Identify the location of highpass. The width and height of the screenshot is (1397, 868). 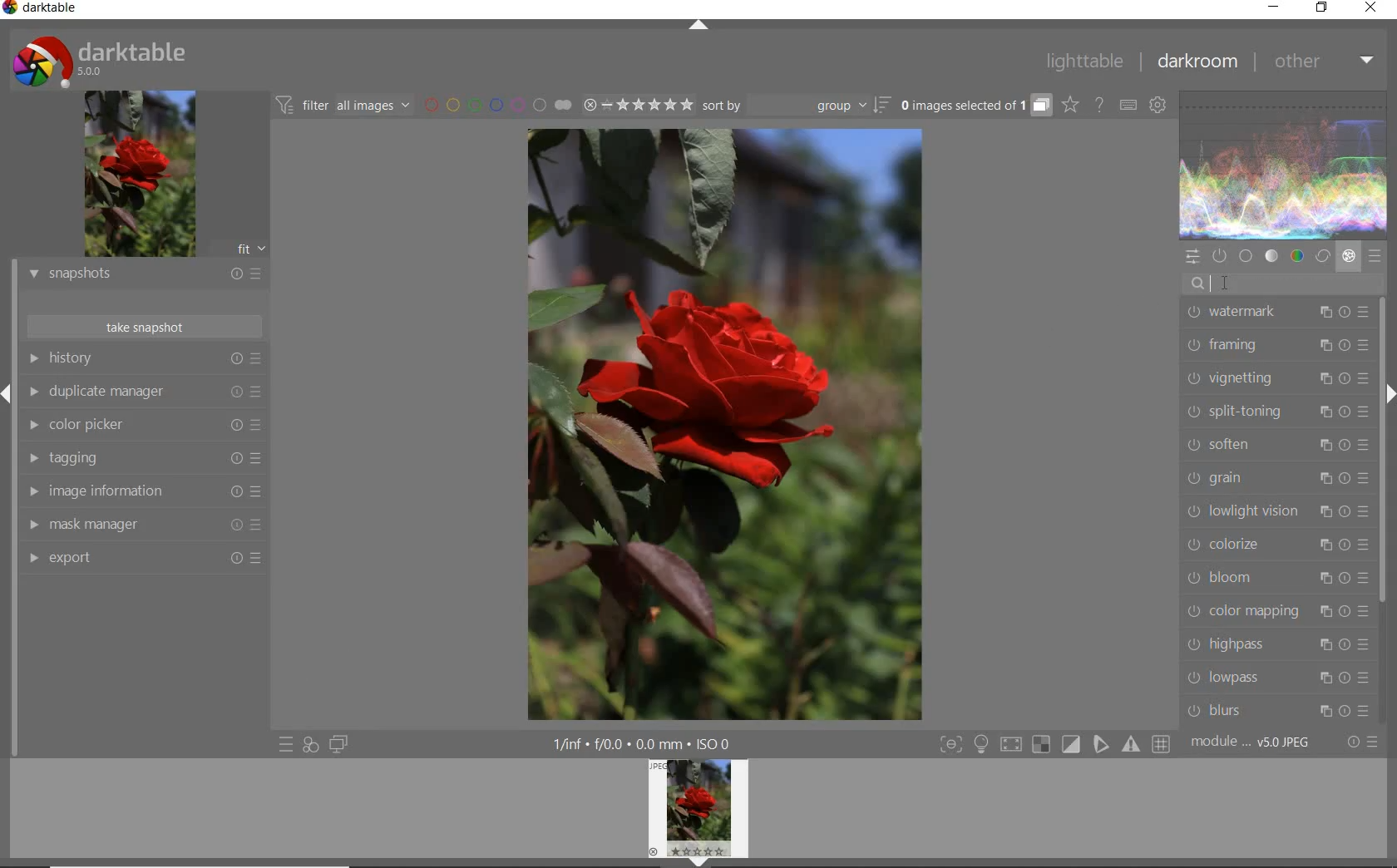
(1279, 644).